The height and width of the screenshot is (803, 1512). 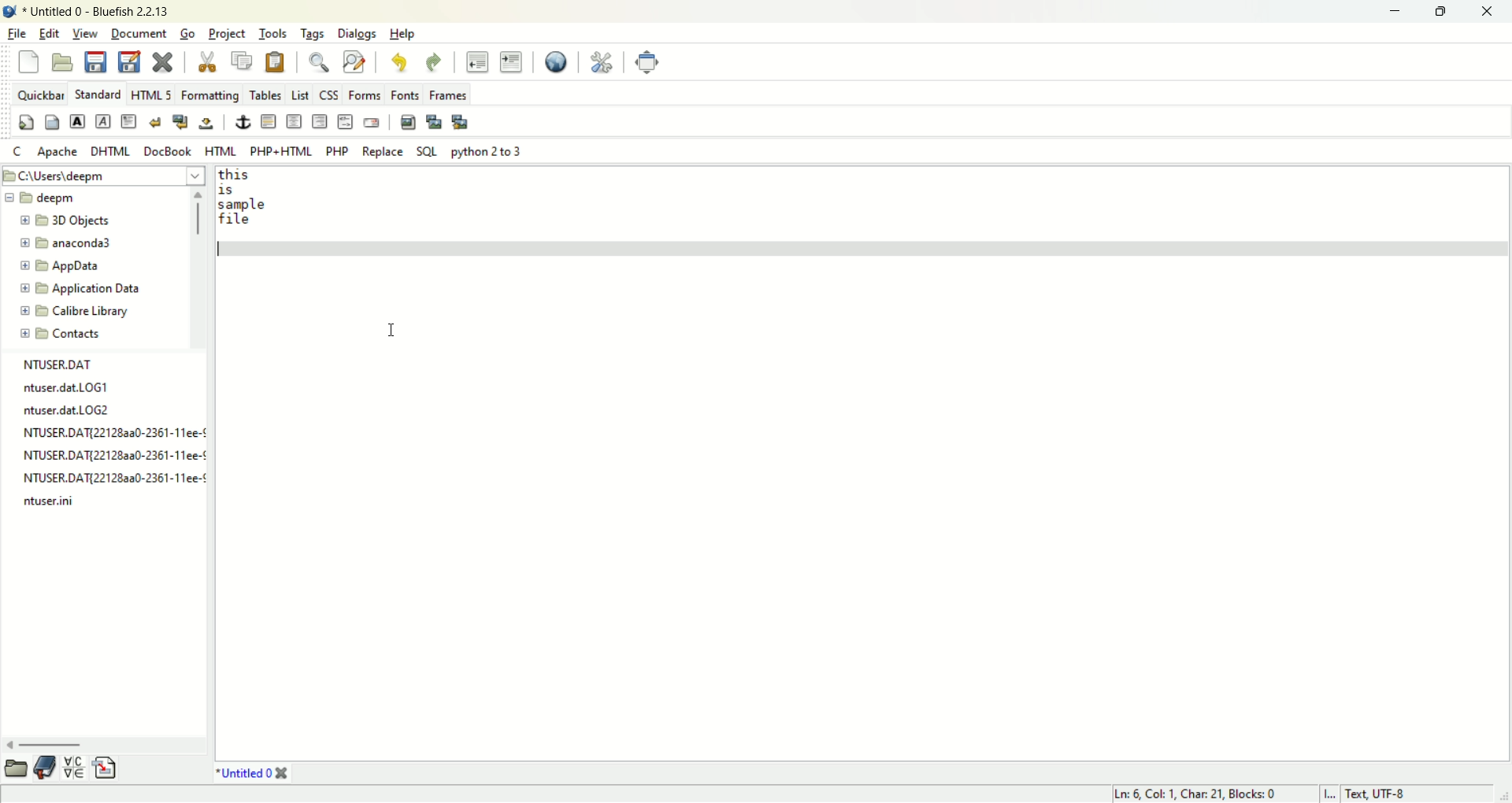 What do you see at coordinates (114, 430) in the screenshot?
I see `NTUSER.DATI22128a3a0-2361-11ee-¢` at bounding box center [114, 430].